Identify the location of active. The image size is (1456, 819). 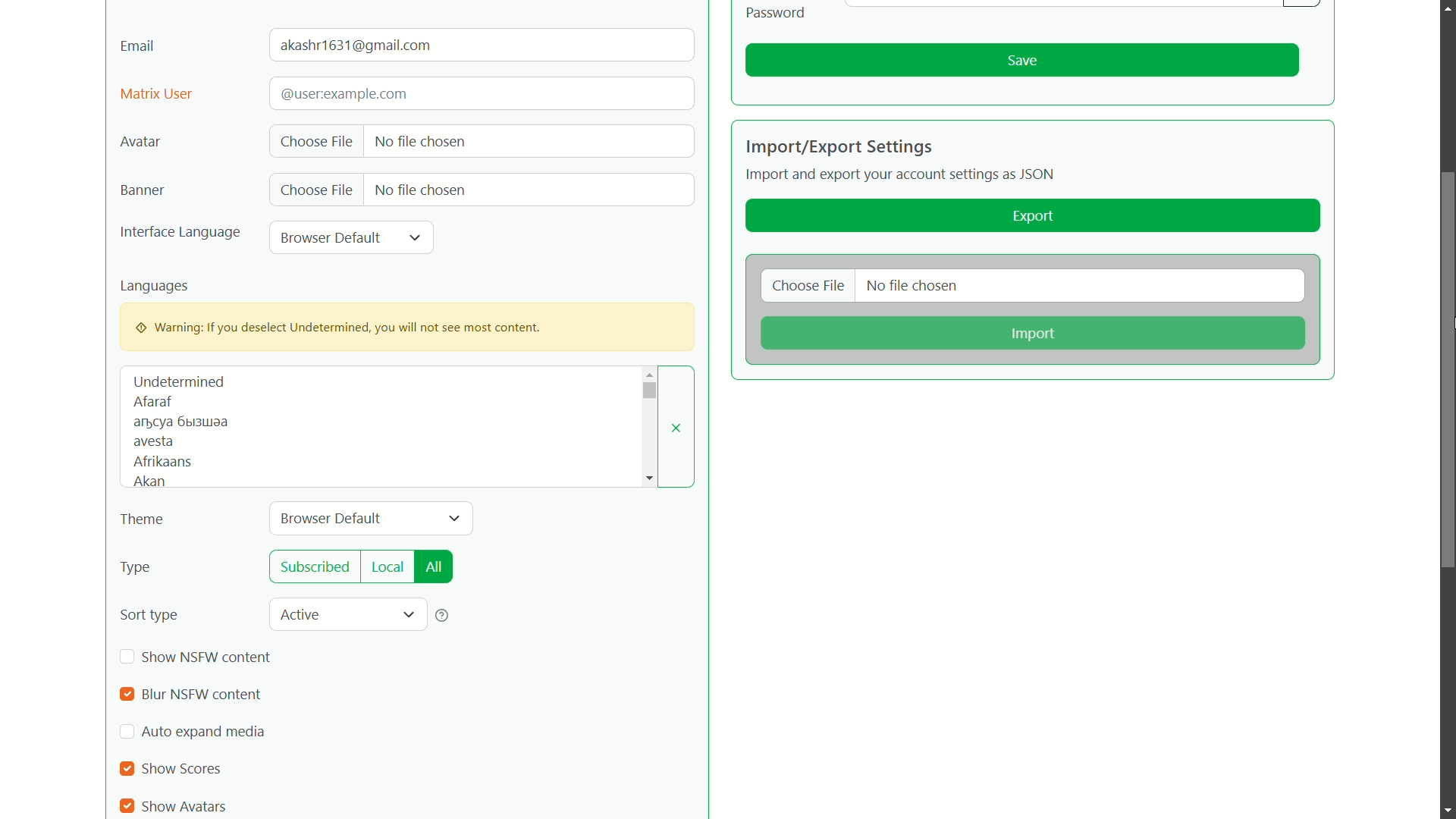
(303, 613).